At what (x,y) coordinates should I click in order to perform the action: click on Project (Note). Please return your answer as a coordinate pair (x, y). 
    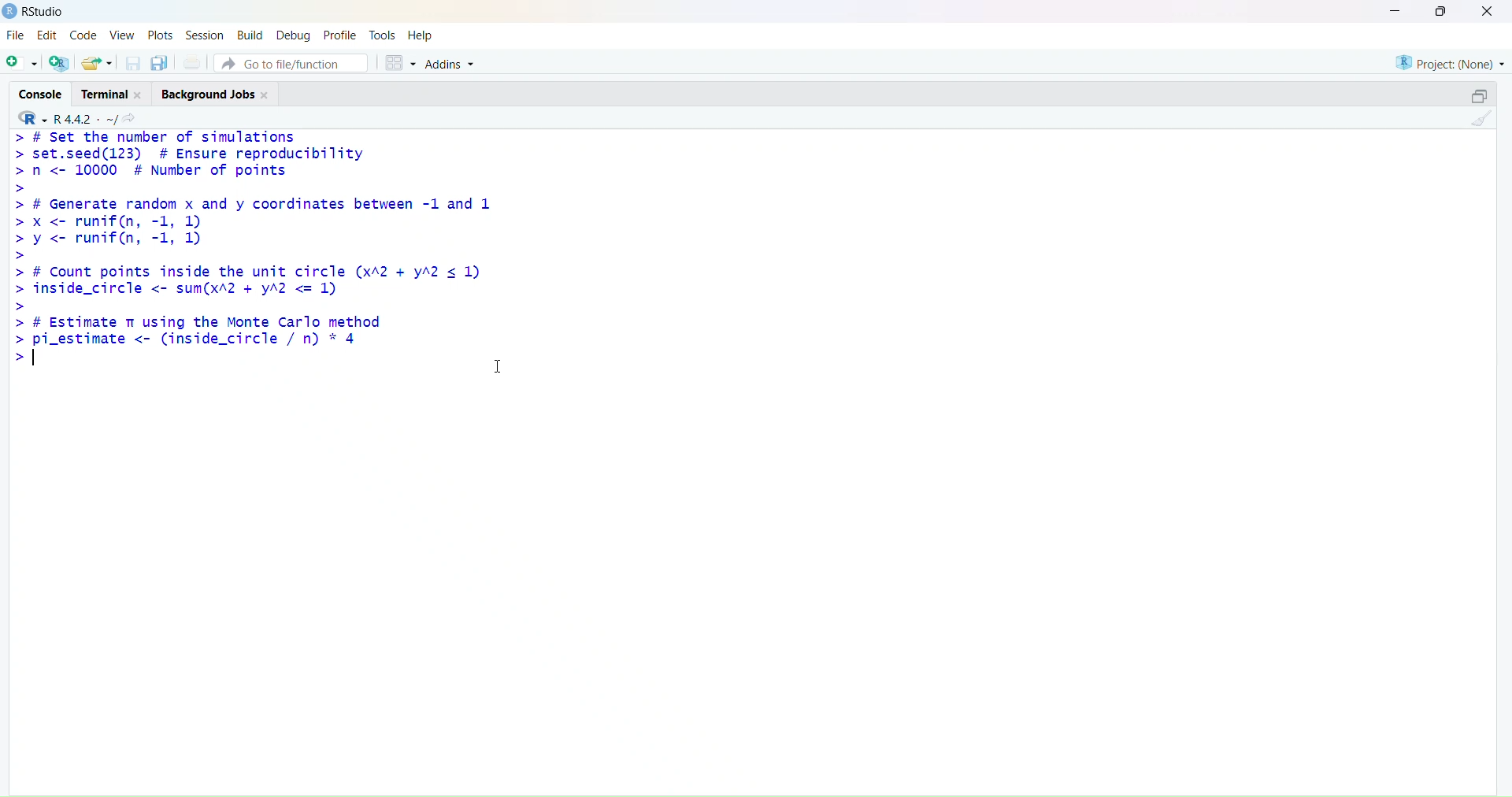
    Looking at the image, I should click on (1444, 63).